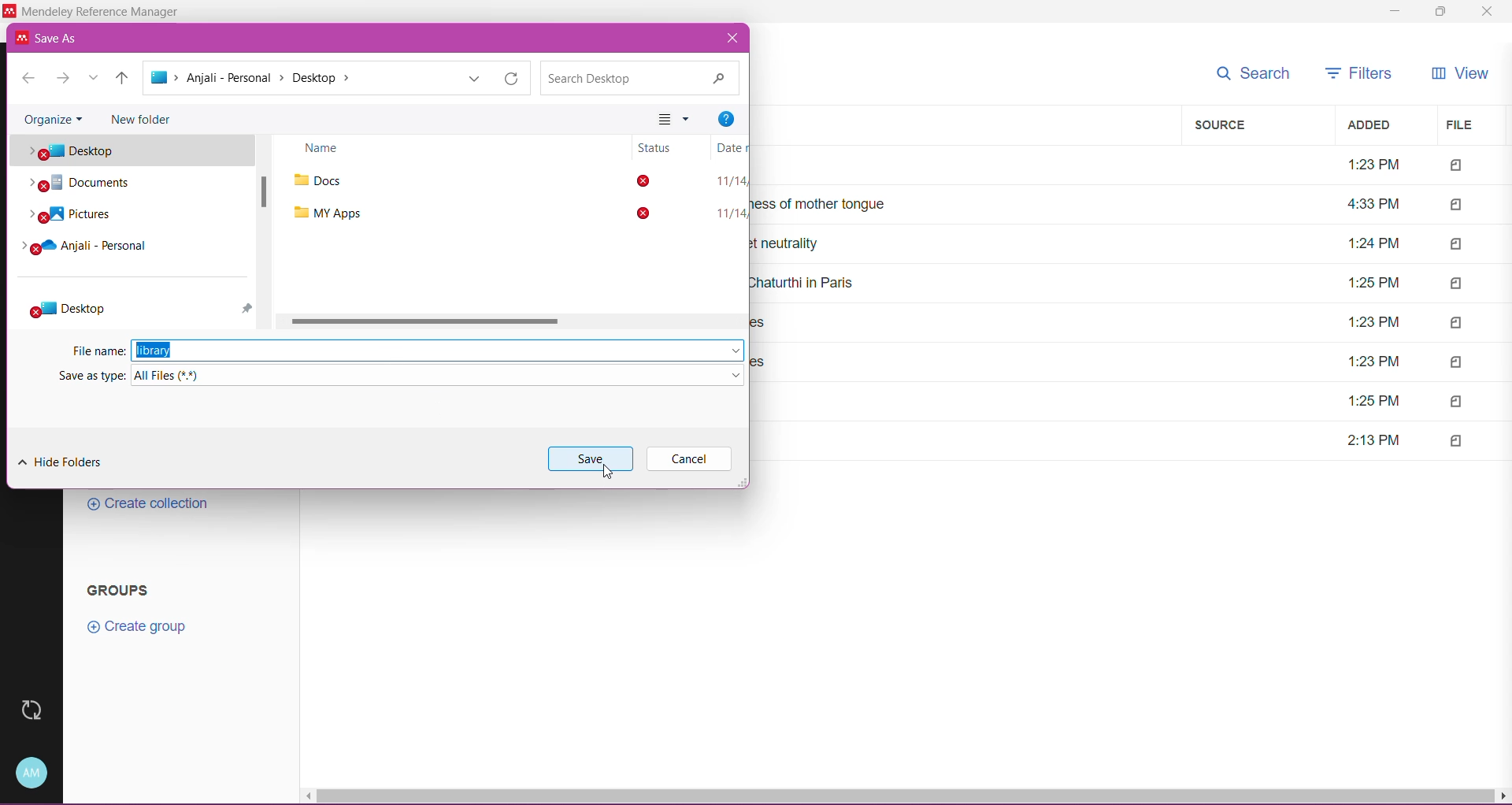 Image resolution: width=1512 pixels, height=805 pixels. I want to click on View, so click(1461, 74).